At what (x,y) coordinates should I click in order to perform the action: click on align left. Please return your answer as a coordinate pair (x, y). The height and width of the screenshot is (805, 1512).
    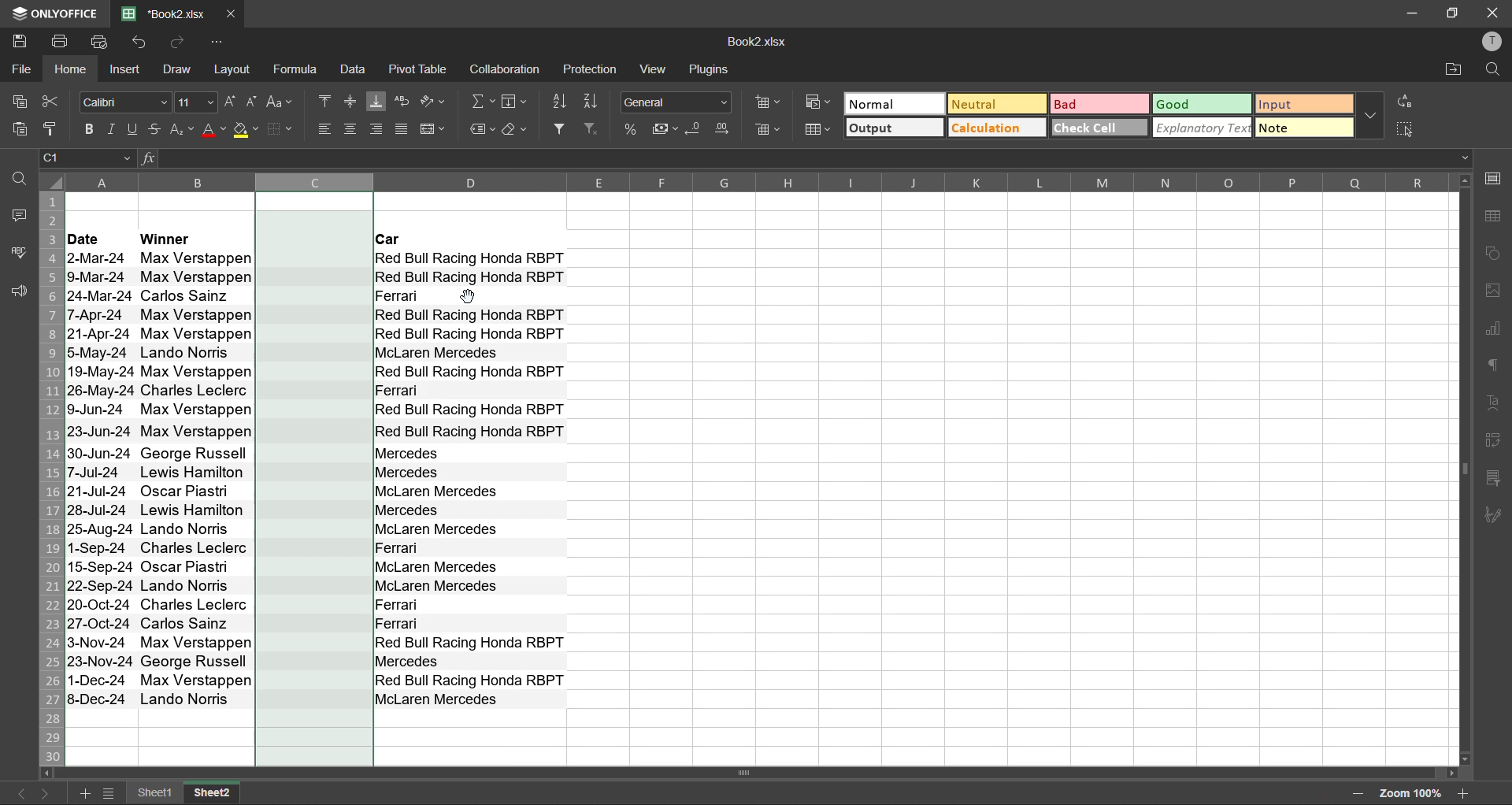
    Looking at the image, I should click on (321, 129).